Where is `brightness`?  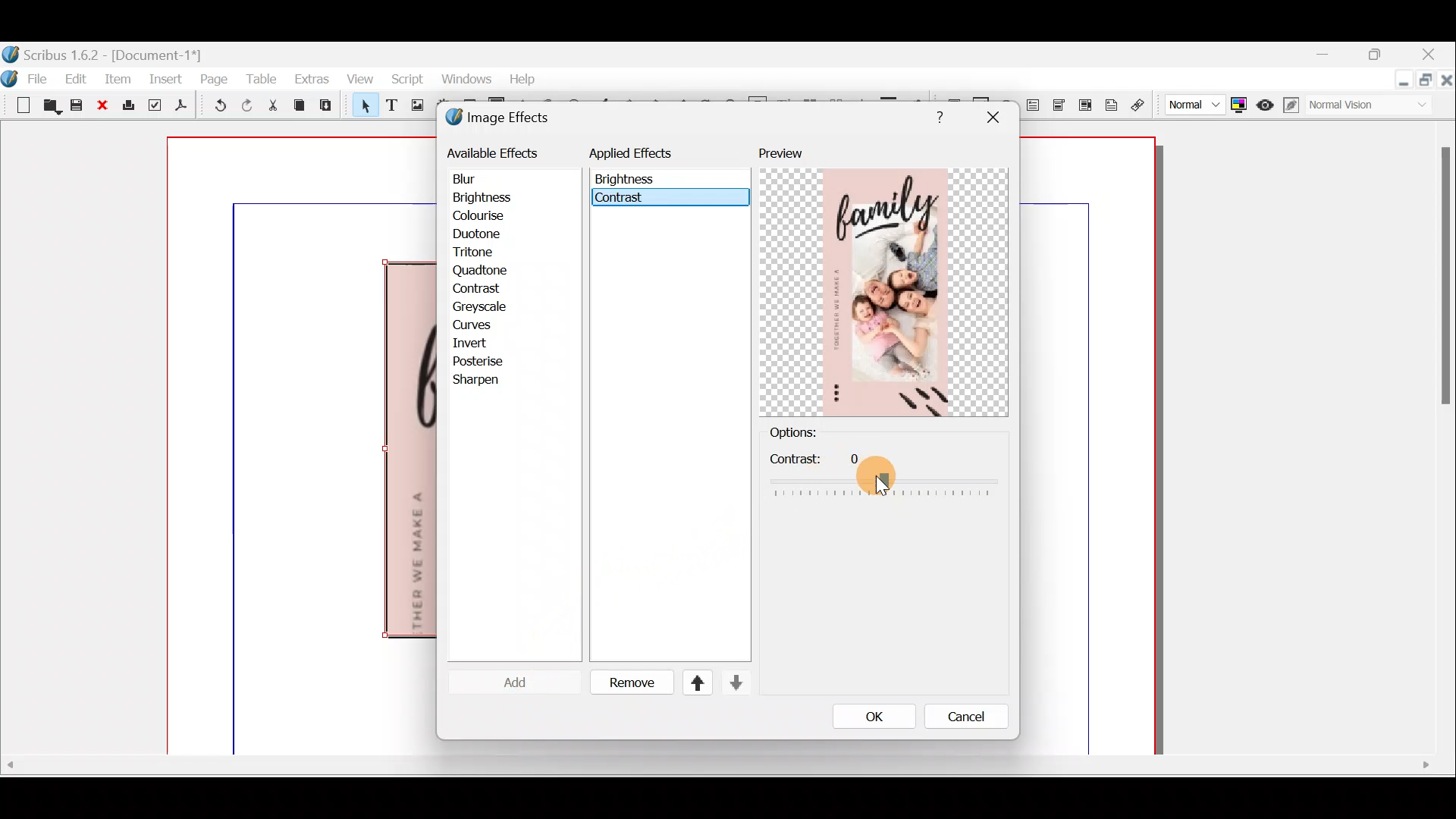
brightness is located at coordinates (628, 178).